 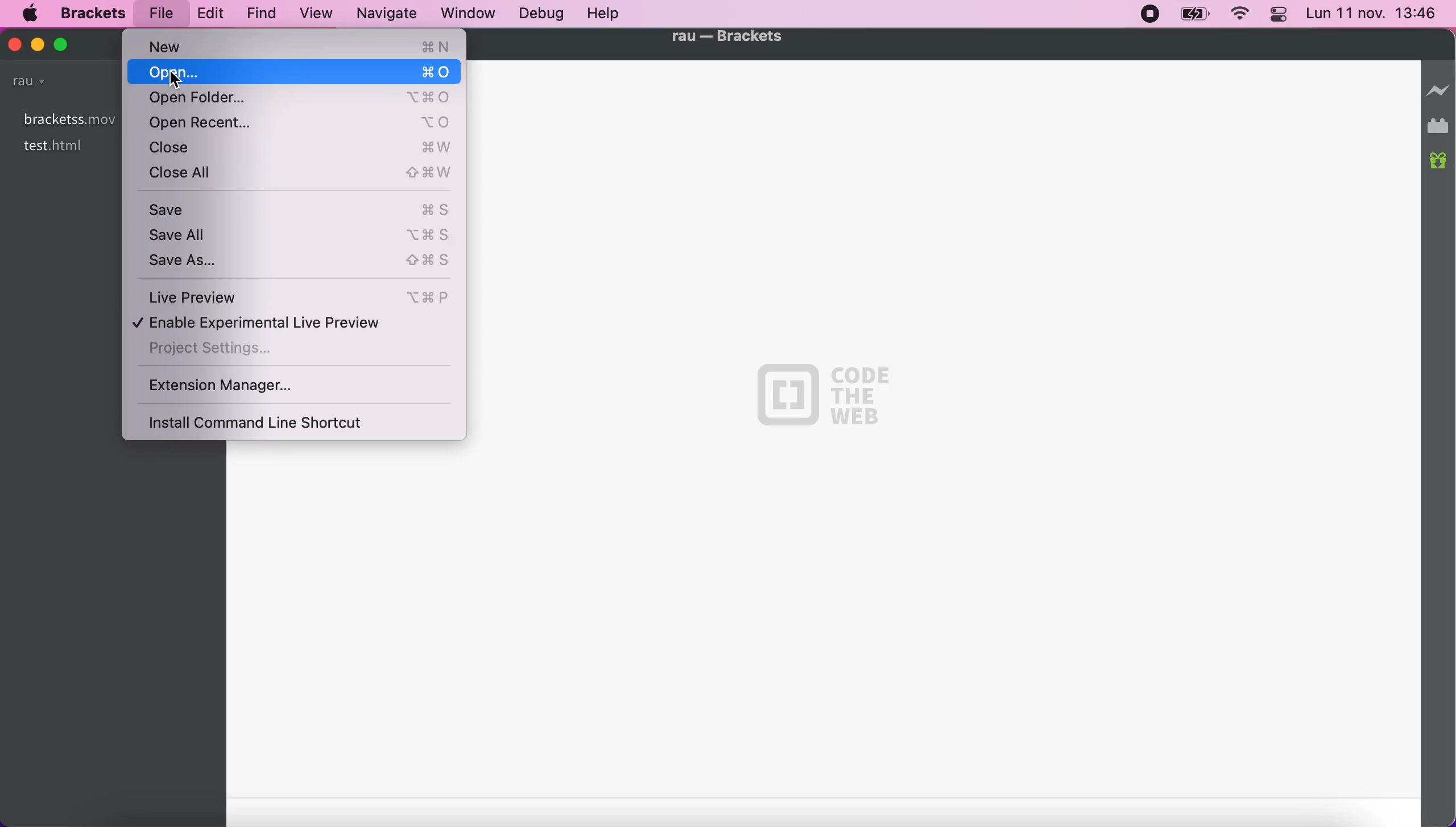 I want to click on help, so click(x=609, y=13).